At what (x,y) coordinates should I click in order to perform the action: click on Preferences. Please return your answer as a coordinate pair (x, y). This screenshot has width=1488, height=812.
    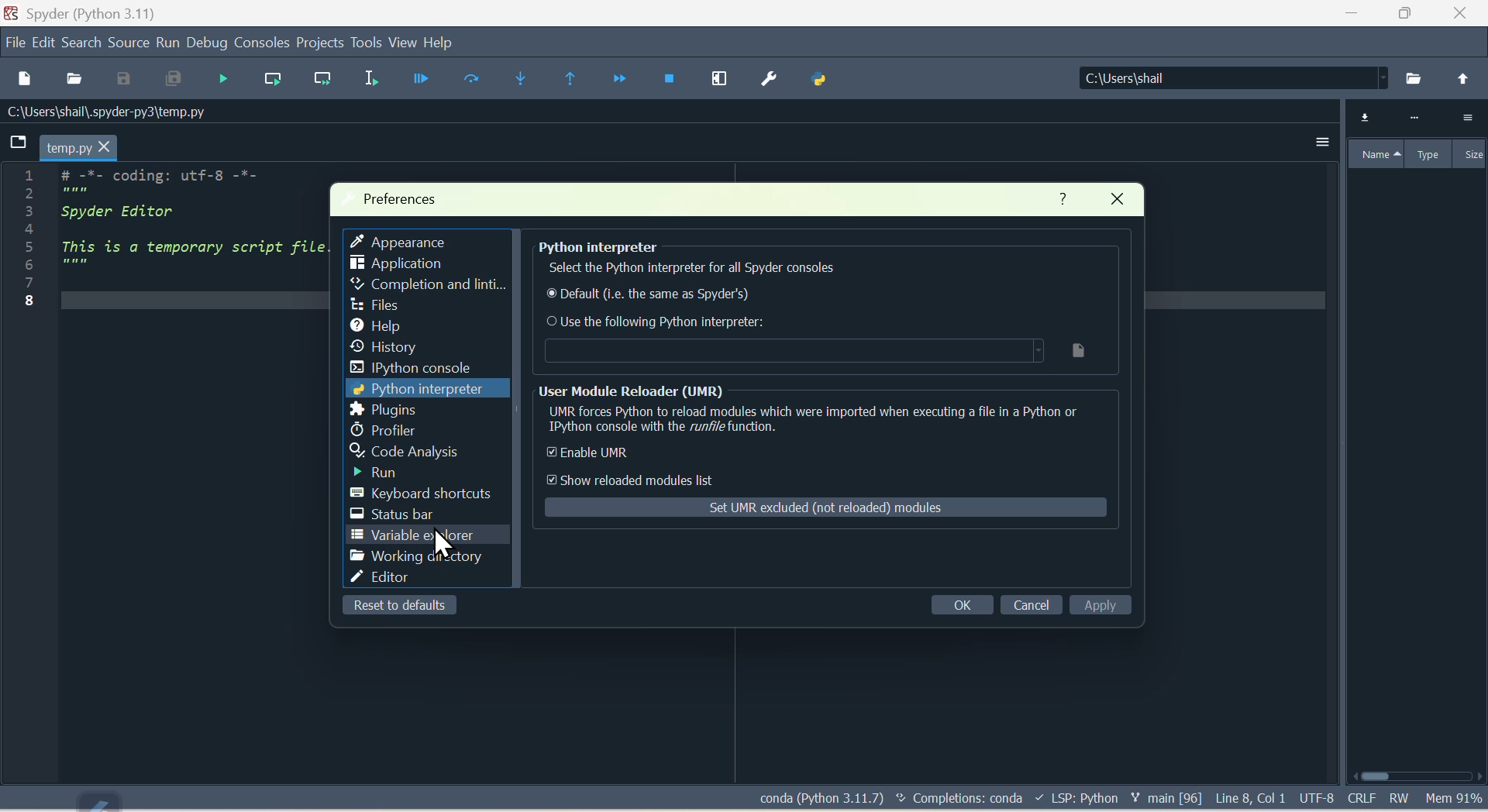
    Looking at the image, I should click on (405, 198).